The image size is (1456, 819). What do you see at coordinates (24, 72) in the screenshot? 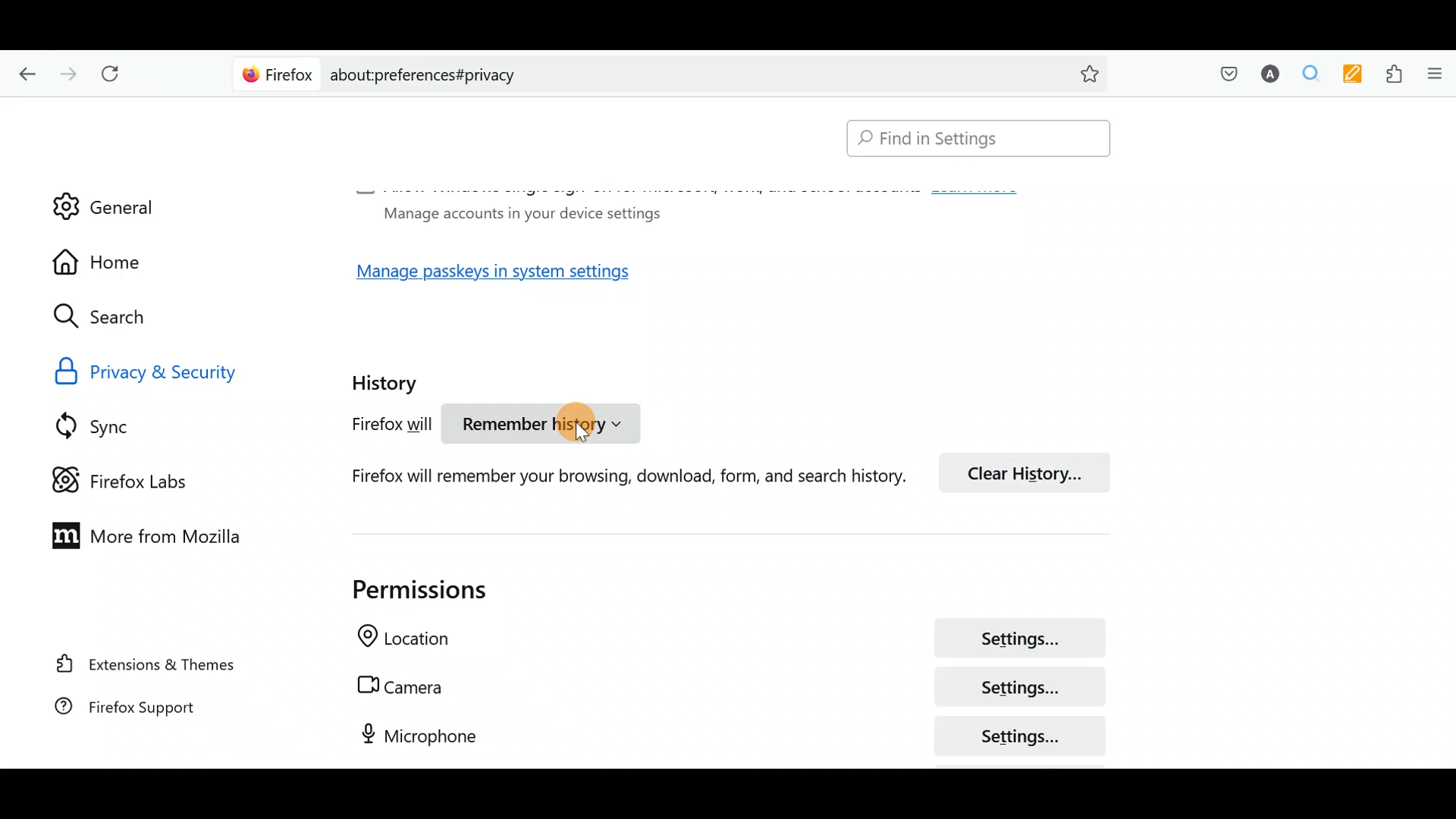
I see `Go back one page` at bounding box center [24, 72].